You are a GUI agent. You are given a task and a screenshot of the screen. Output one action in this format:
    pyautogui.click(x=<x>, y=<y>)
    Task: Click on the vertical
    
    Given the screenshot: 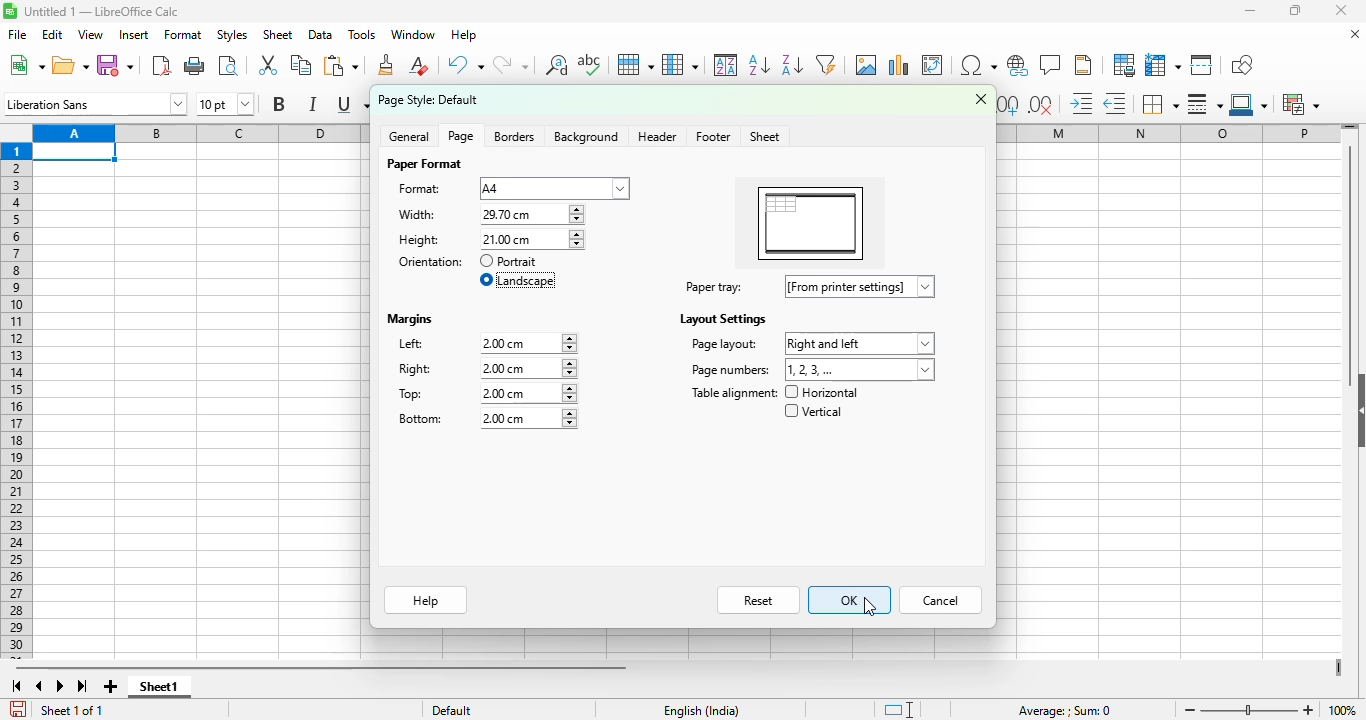 What is the action you would take?
    pyautogui.click(x=812, y=411)
    